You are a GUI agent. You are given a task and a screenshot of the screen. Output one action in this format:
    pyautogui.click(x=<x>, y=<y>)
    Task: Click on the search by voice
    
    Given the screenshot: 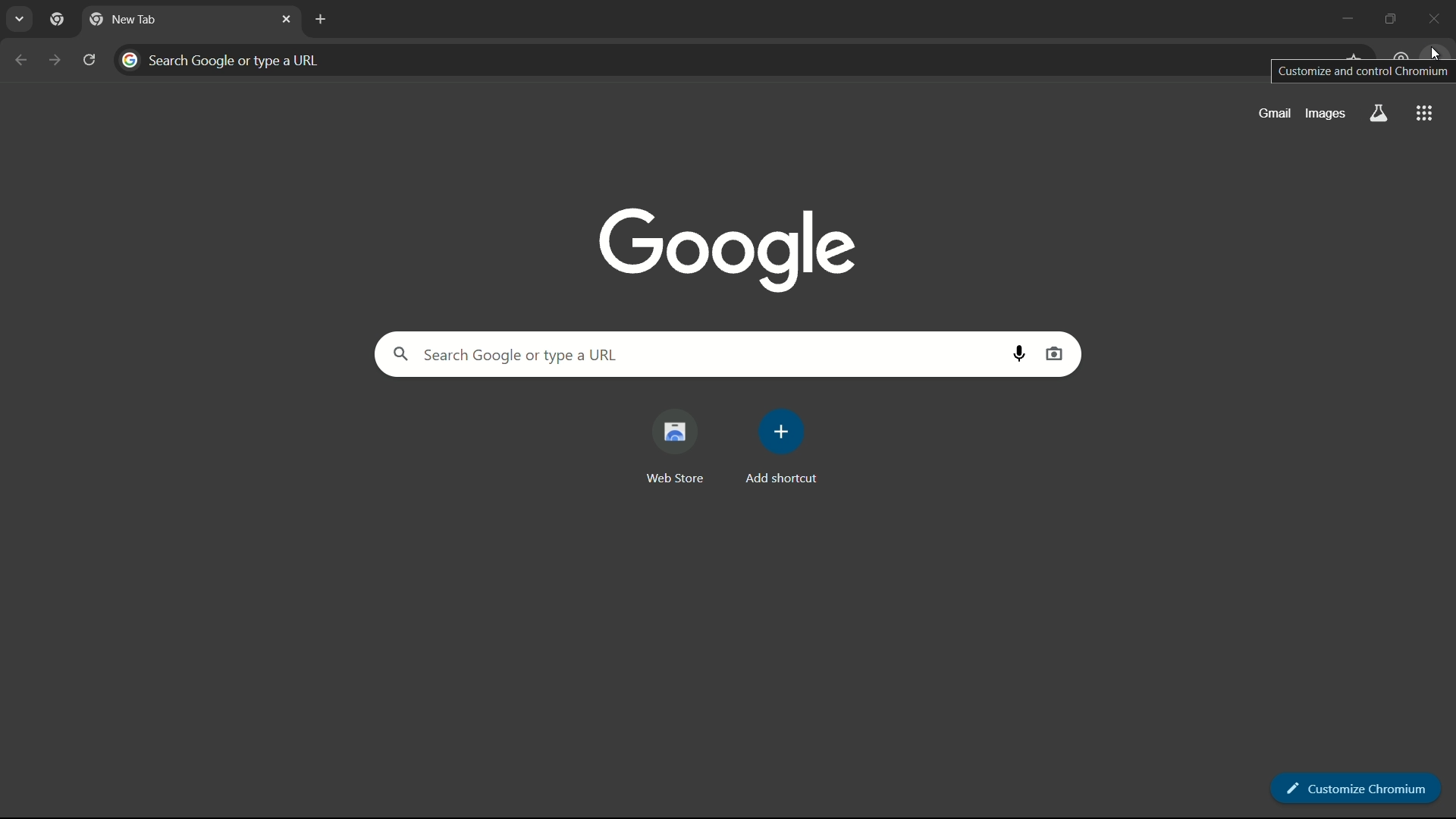 What is the action you would take?
    pyautogui.click(x=1021, y=353)
    